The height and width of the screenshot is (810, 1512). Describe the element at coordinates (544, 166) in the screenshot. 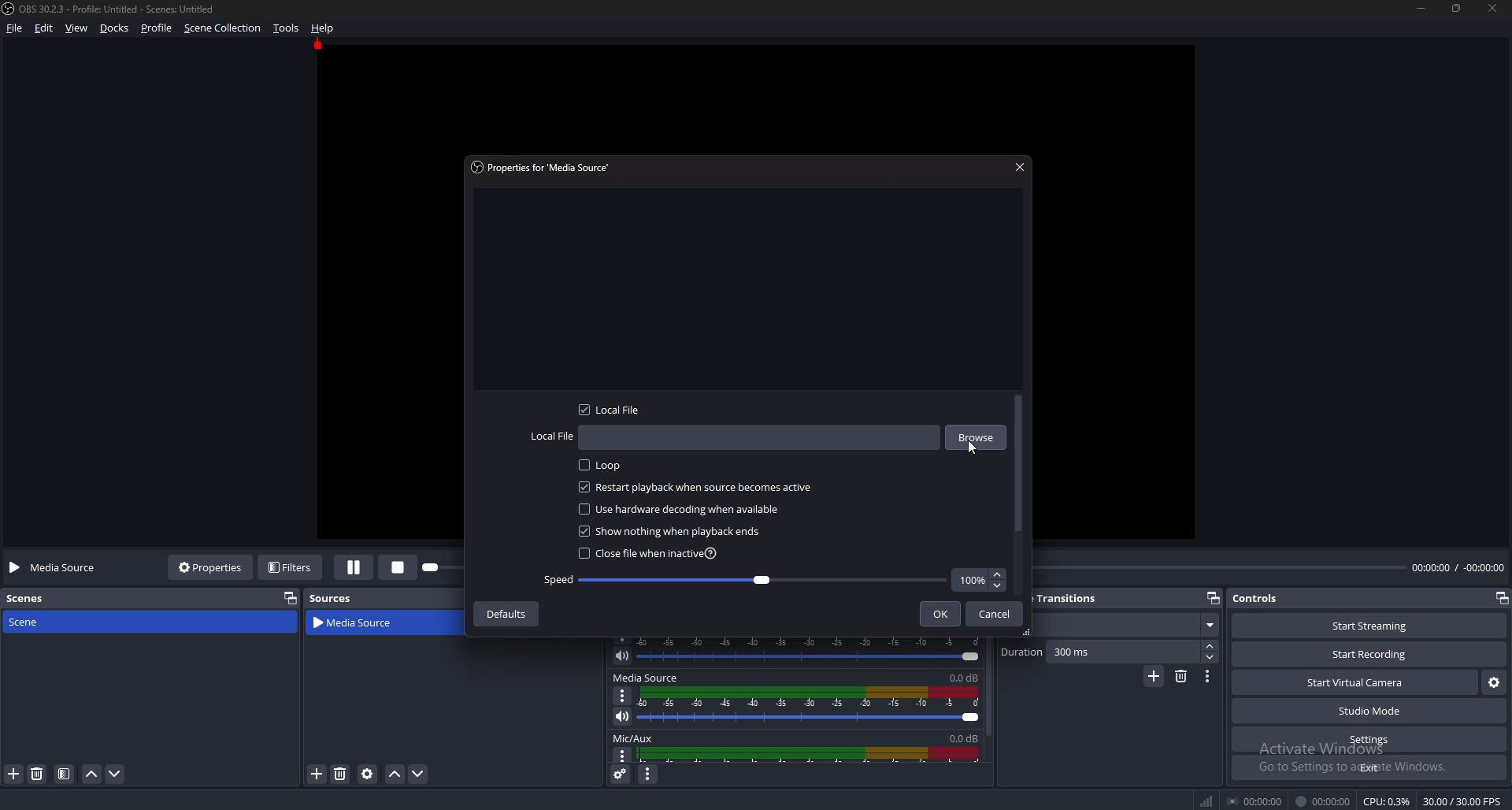

I see `Properties for 'media source'` at that location.